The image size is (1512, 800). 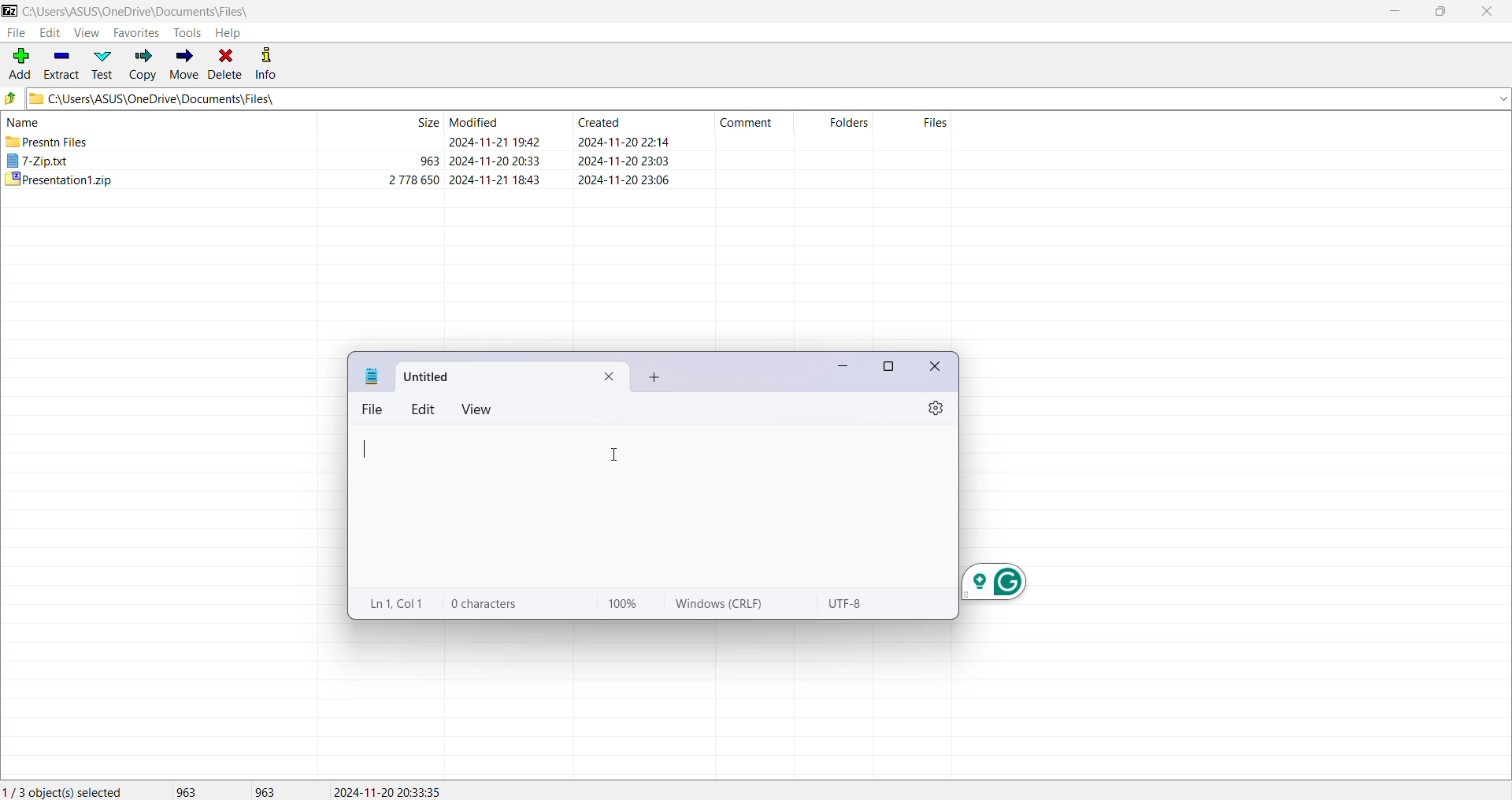 I want to click on Copy, so click(x=140, y=65).